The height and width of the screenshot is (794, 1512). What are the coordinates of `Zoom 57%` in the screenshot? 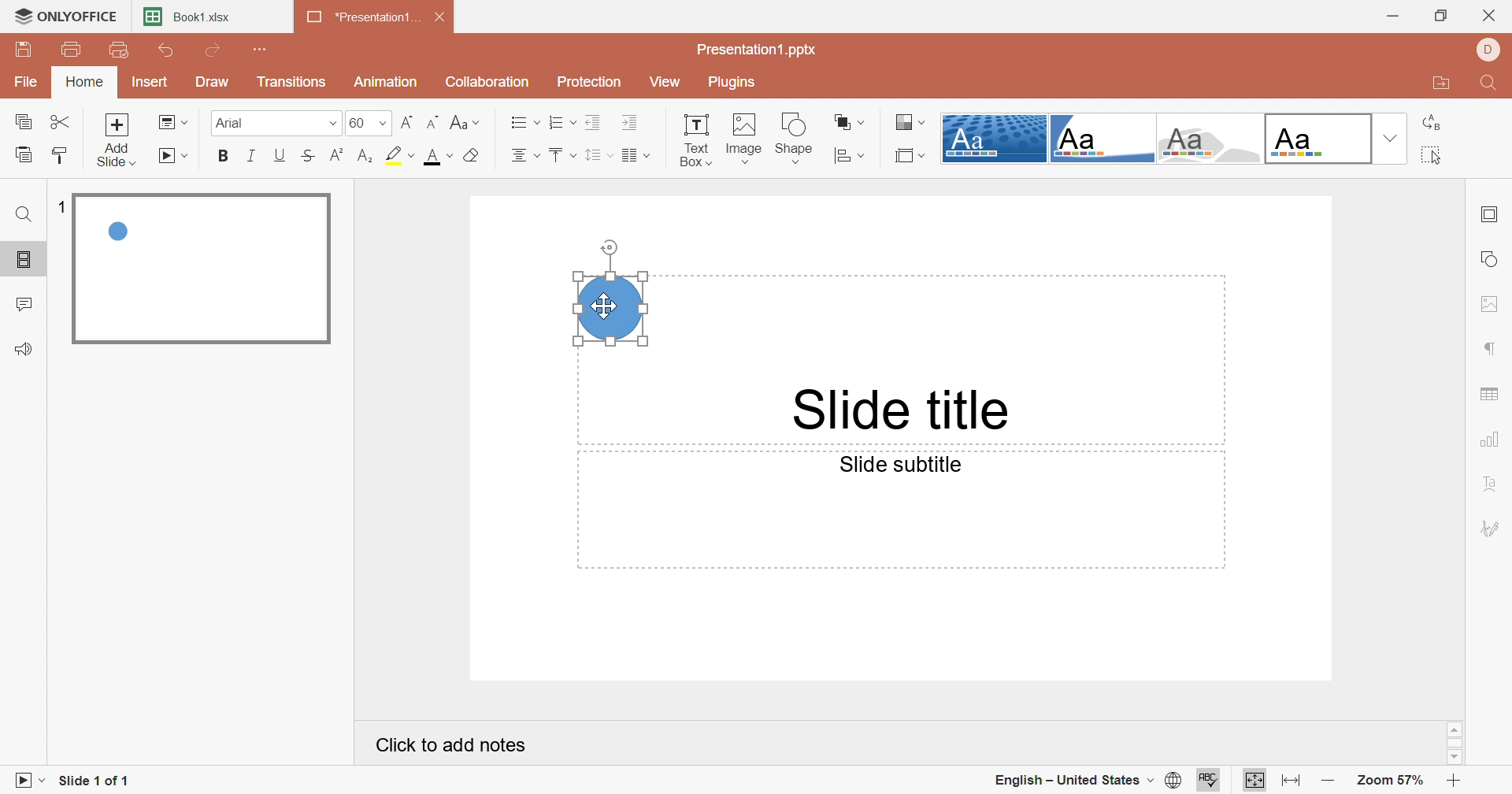 It's located at (1390, 780).